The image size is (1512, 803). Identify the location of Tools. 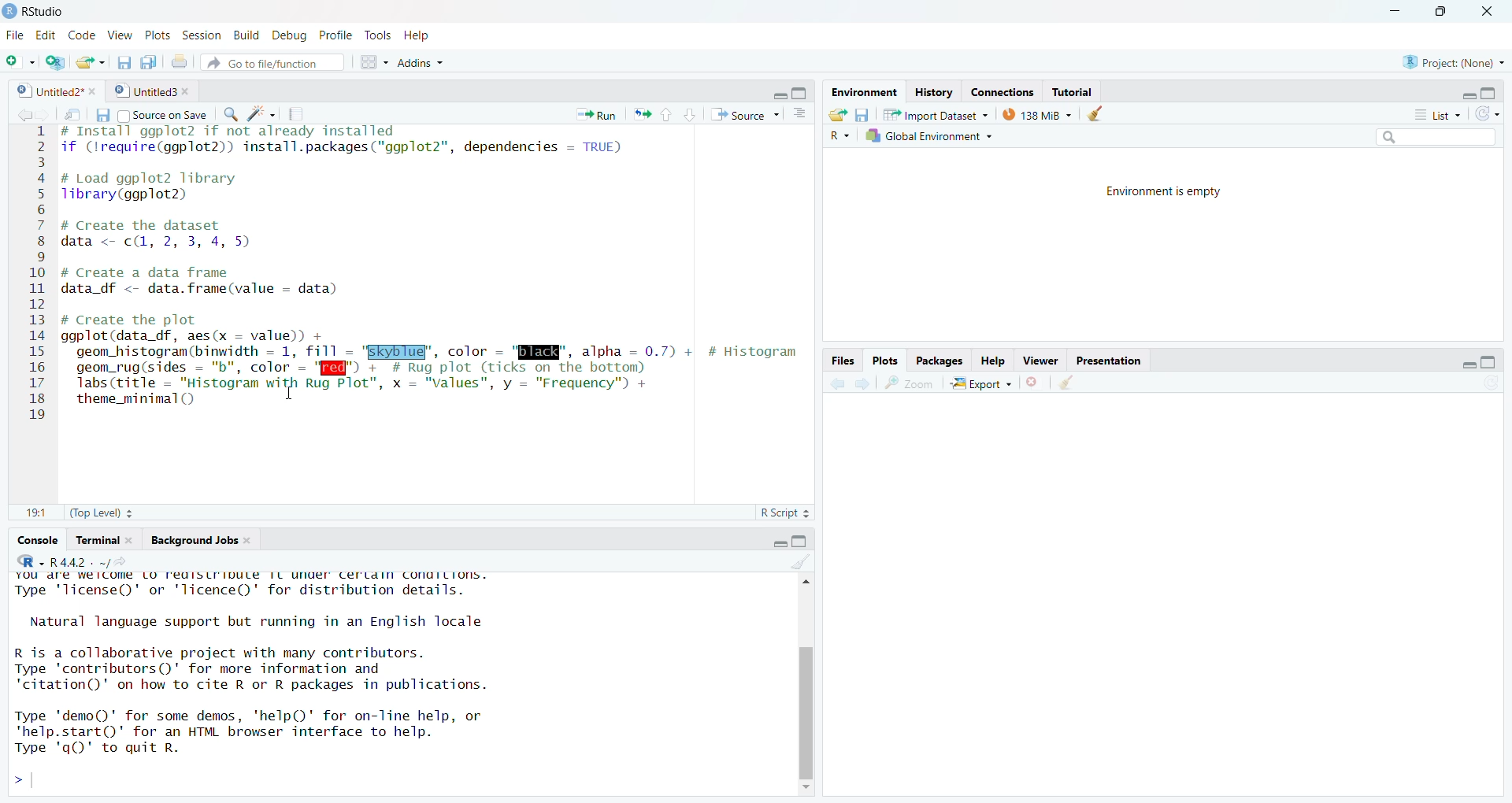
(375, 33).